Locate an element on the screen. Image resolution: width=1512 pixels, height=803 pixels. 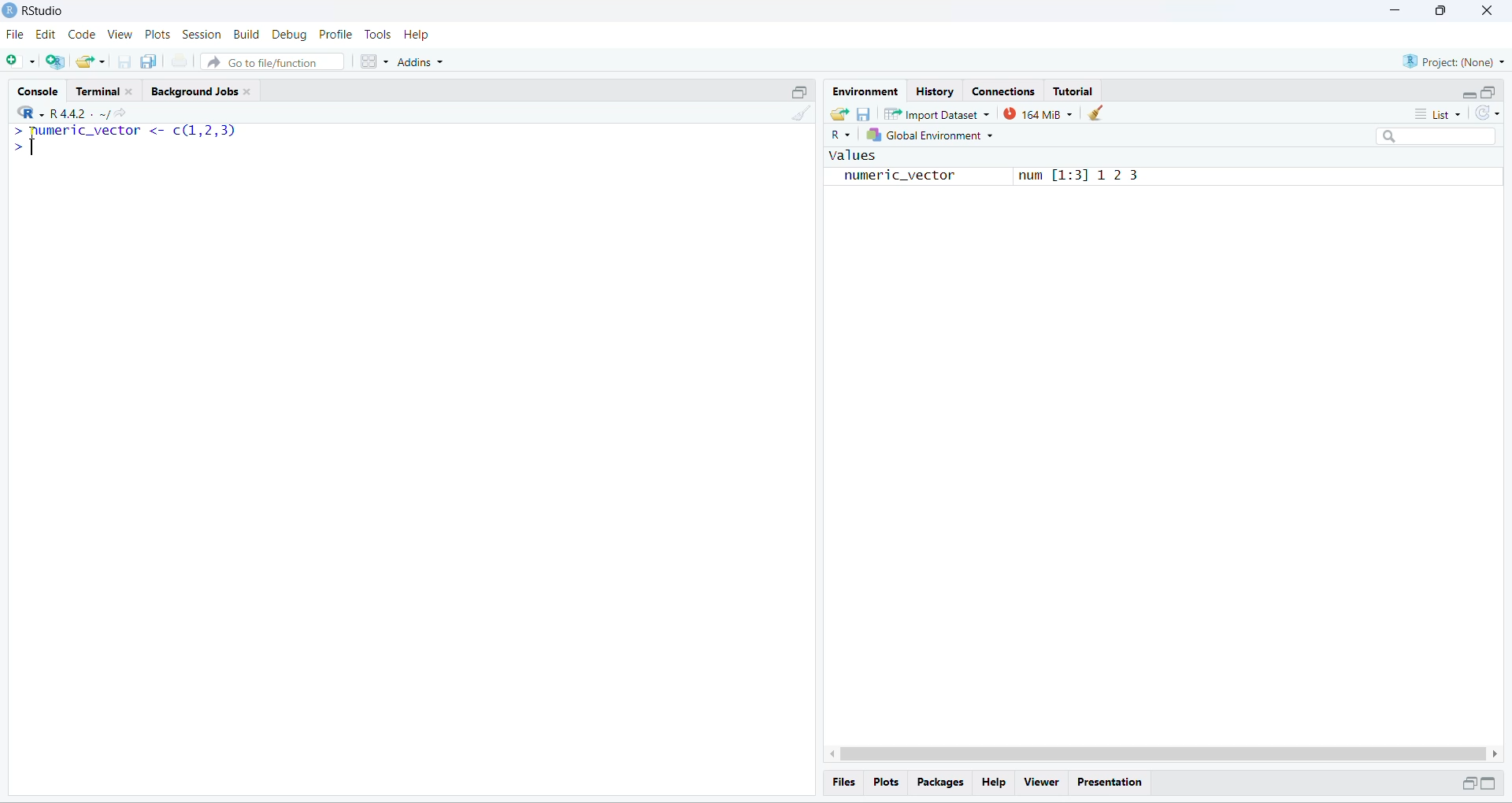
cursor is located at coordinates (31, 133).